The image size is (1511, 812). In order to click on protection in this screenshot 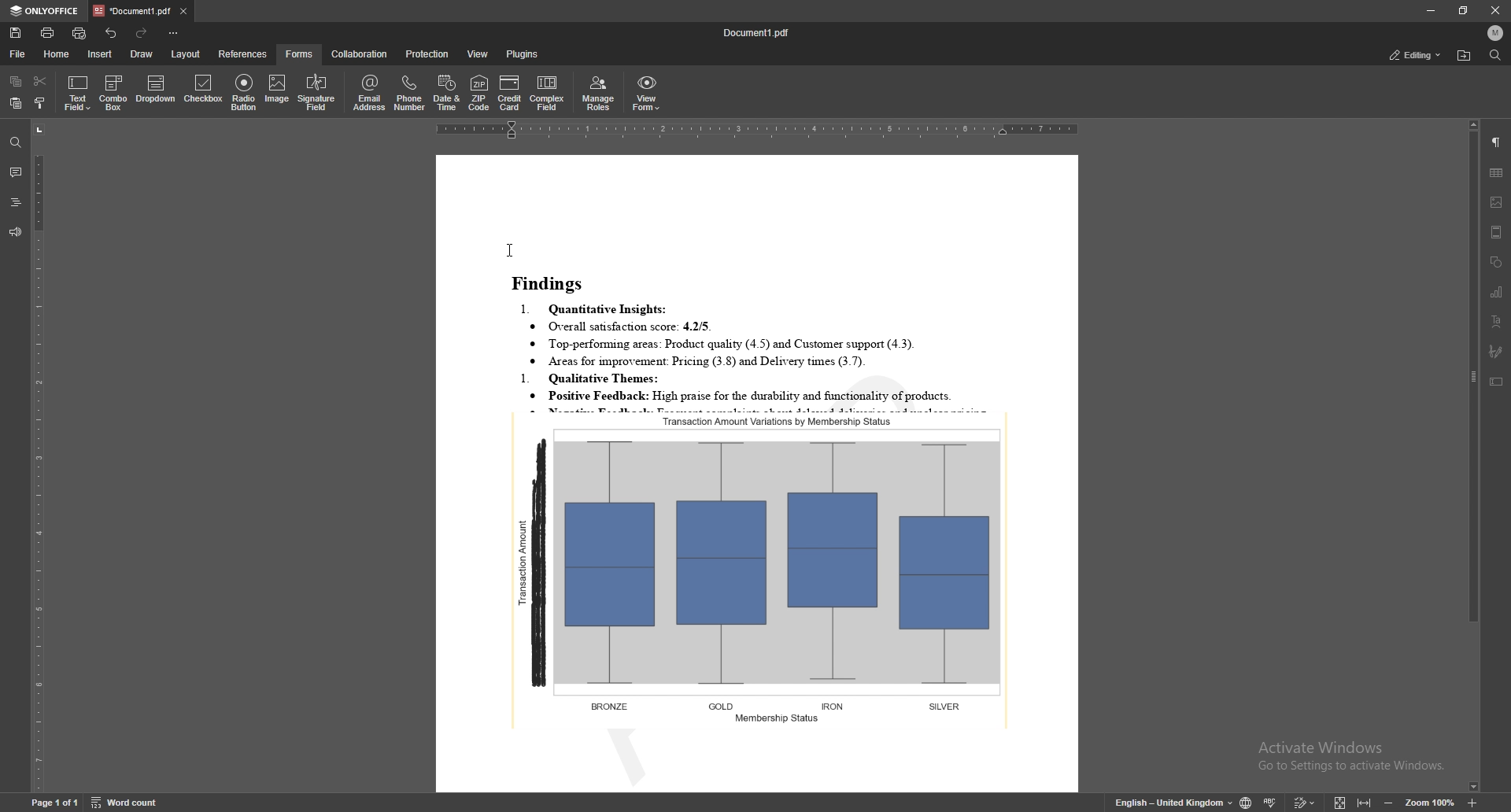, I will do `click(428, 54)`.